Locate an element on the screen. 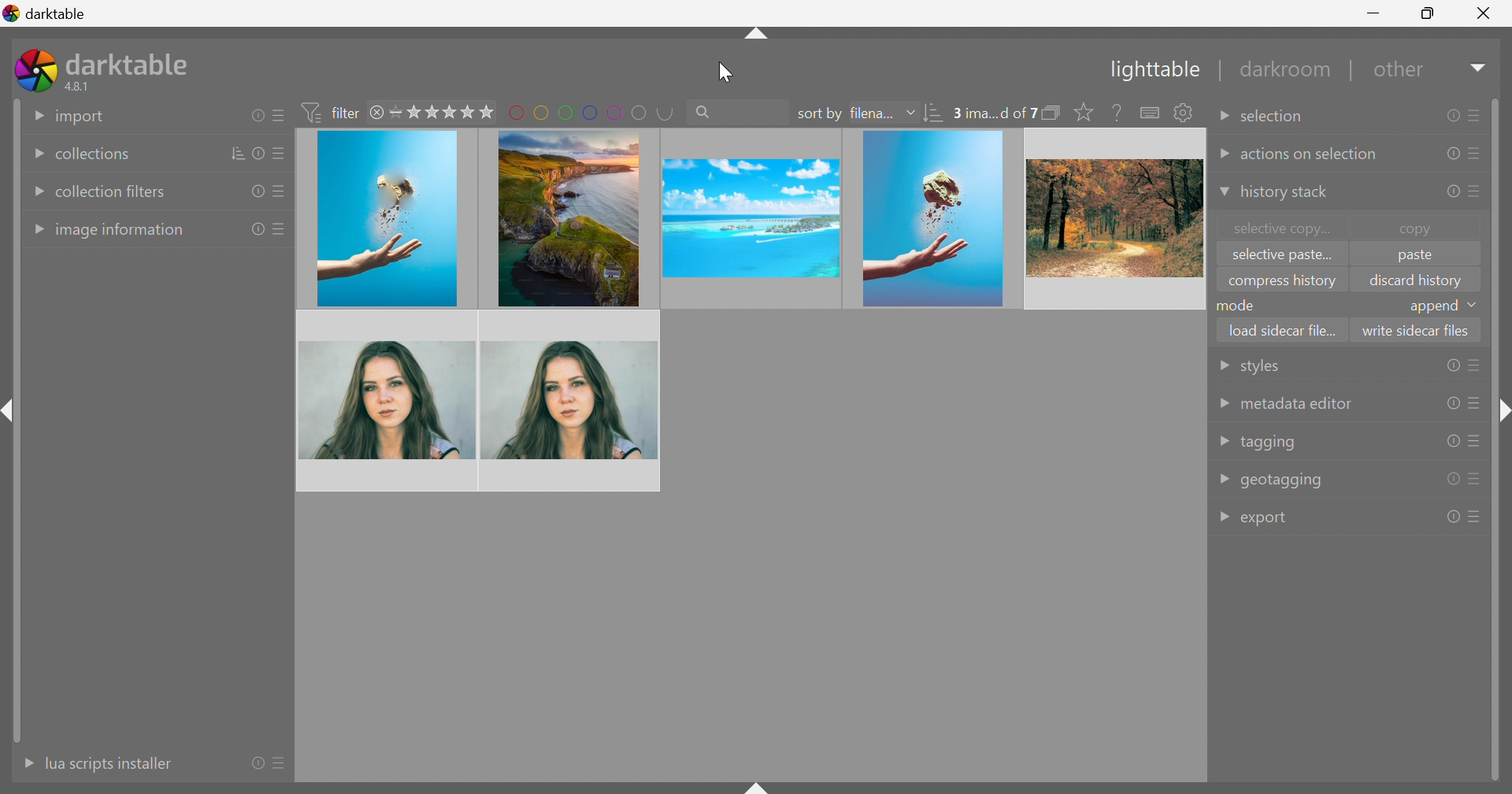 The image size is (1512, 794). shift+ctrl+r is located at coordinates (1501, 414).